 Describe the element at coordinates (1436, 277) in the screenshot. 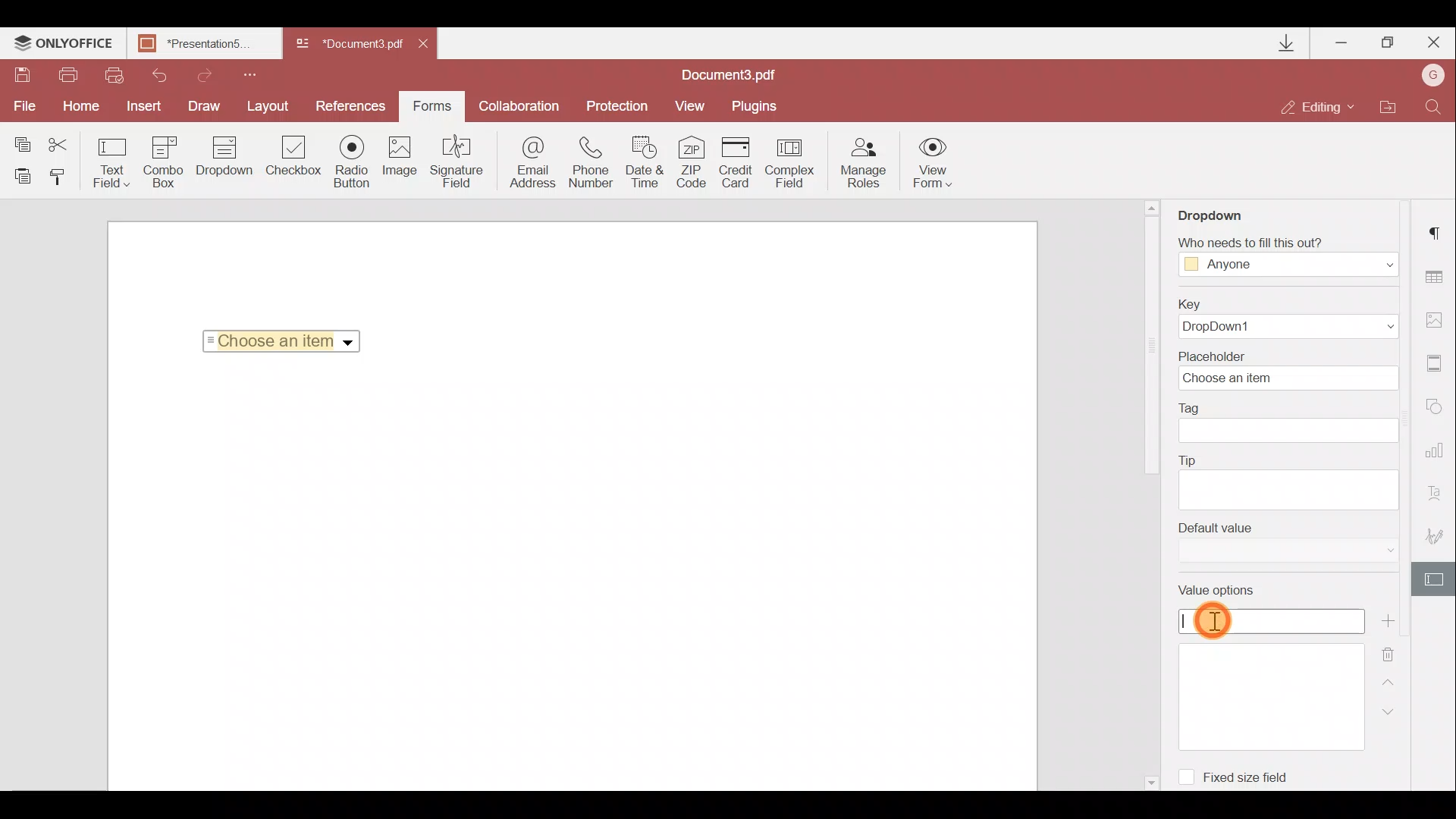

I see `Table settings` at that location.